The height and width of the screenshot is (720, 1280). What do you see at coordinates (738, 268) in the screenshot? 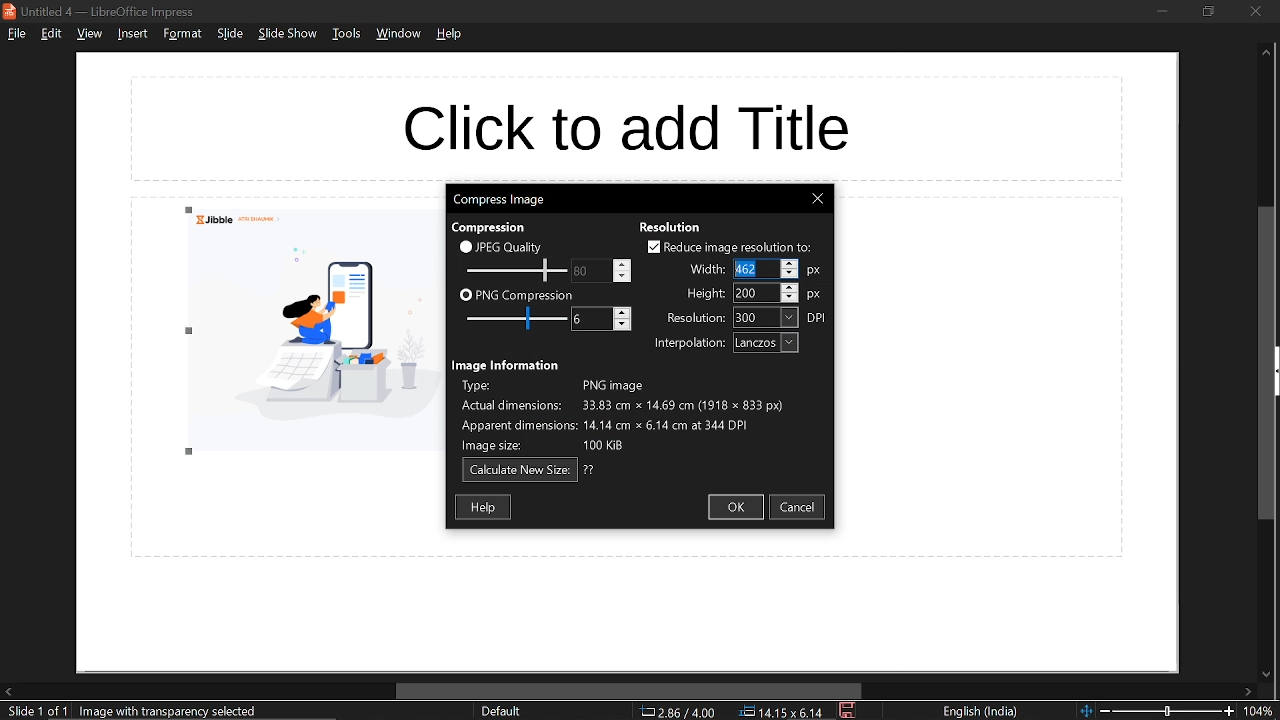
I see `cursor` at bounding box center [738, 268].